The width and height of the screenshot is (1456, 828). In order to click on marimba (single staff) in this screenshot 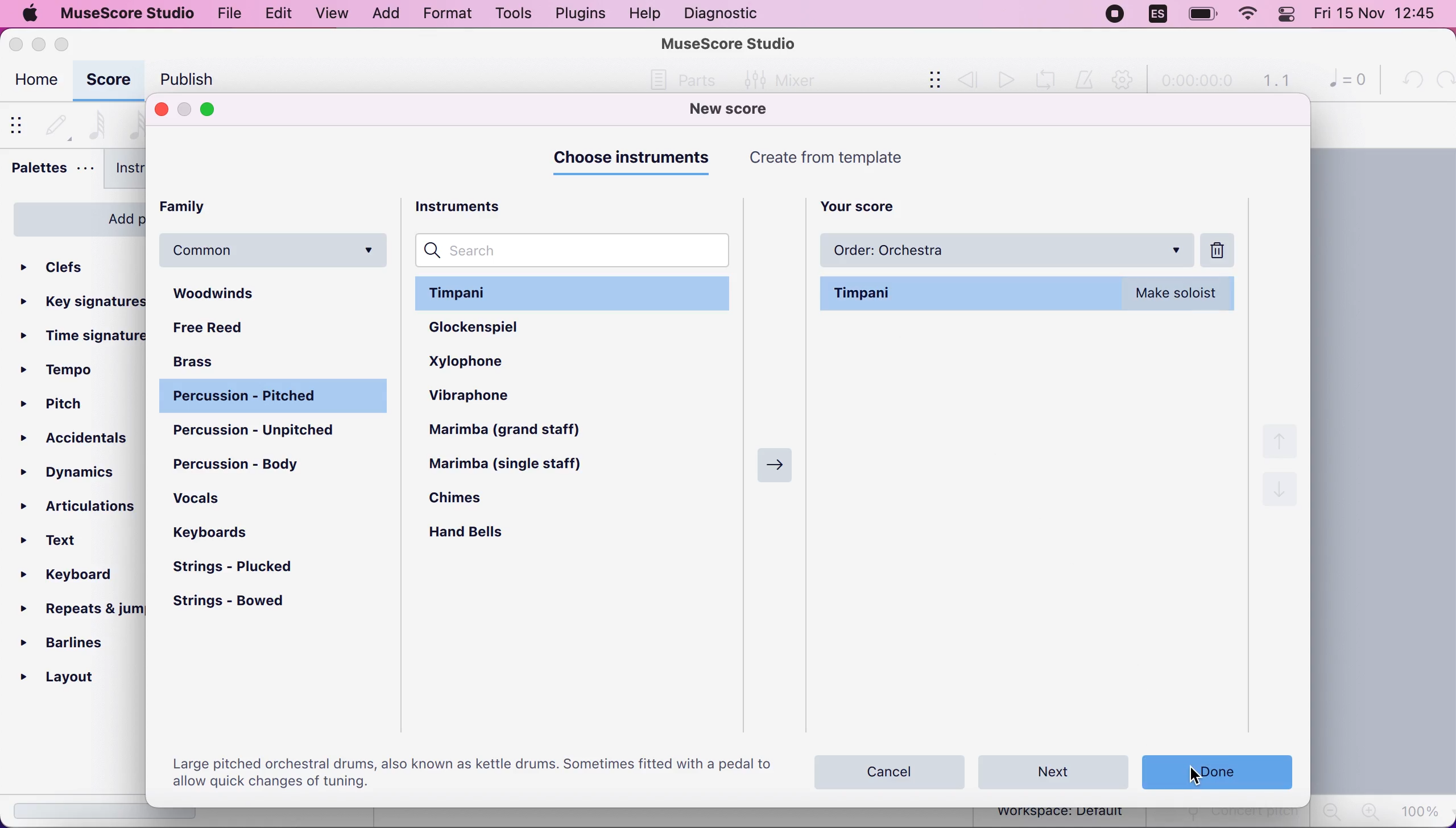, I will do `click(519, 465)`.